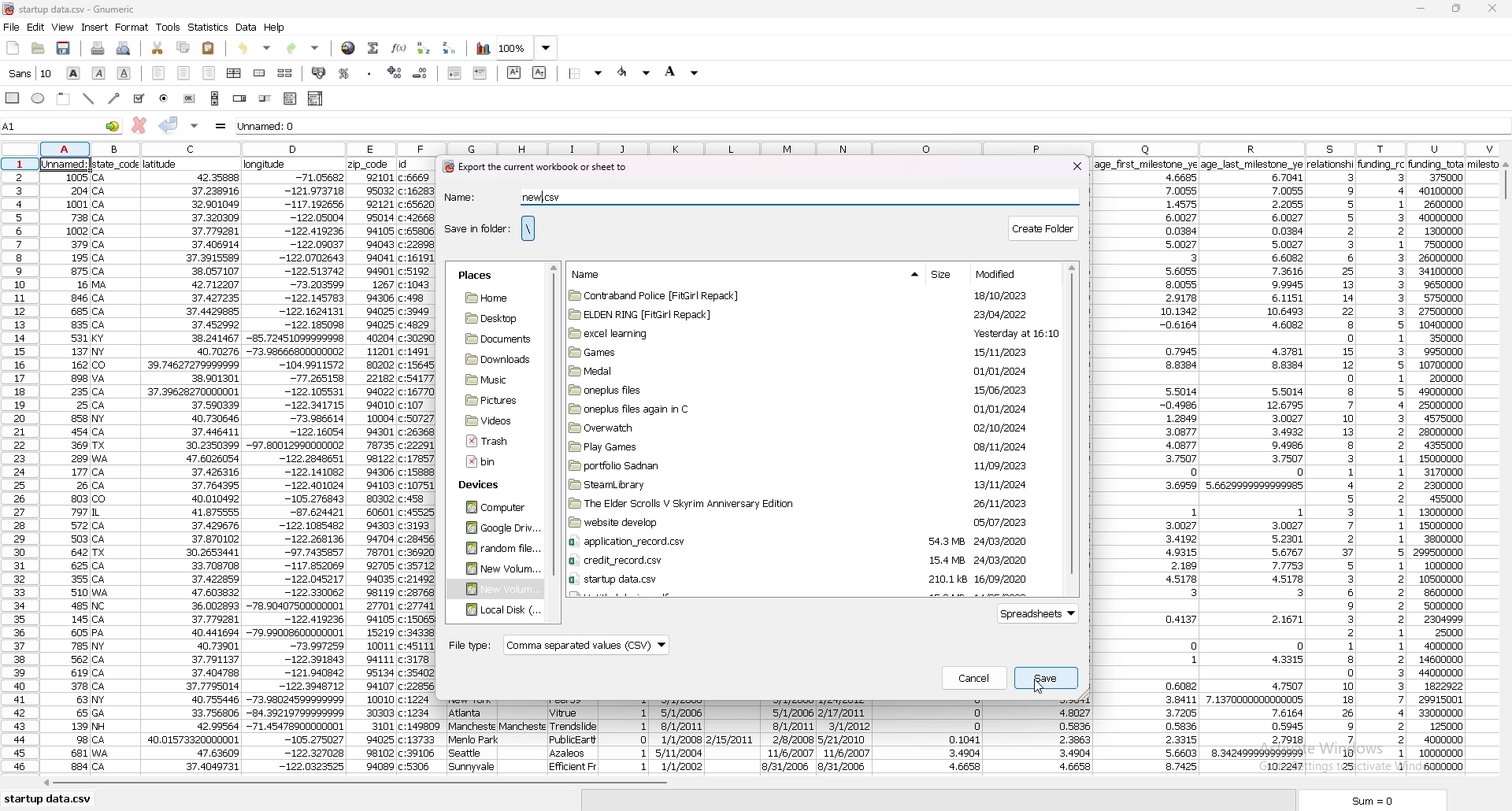  What do you see at coordinates (802, 579) in the screenshot?
I see `folder` at bounding box center [802, 579].